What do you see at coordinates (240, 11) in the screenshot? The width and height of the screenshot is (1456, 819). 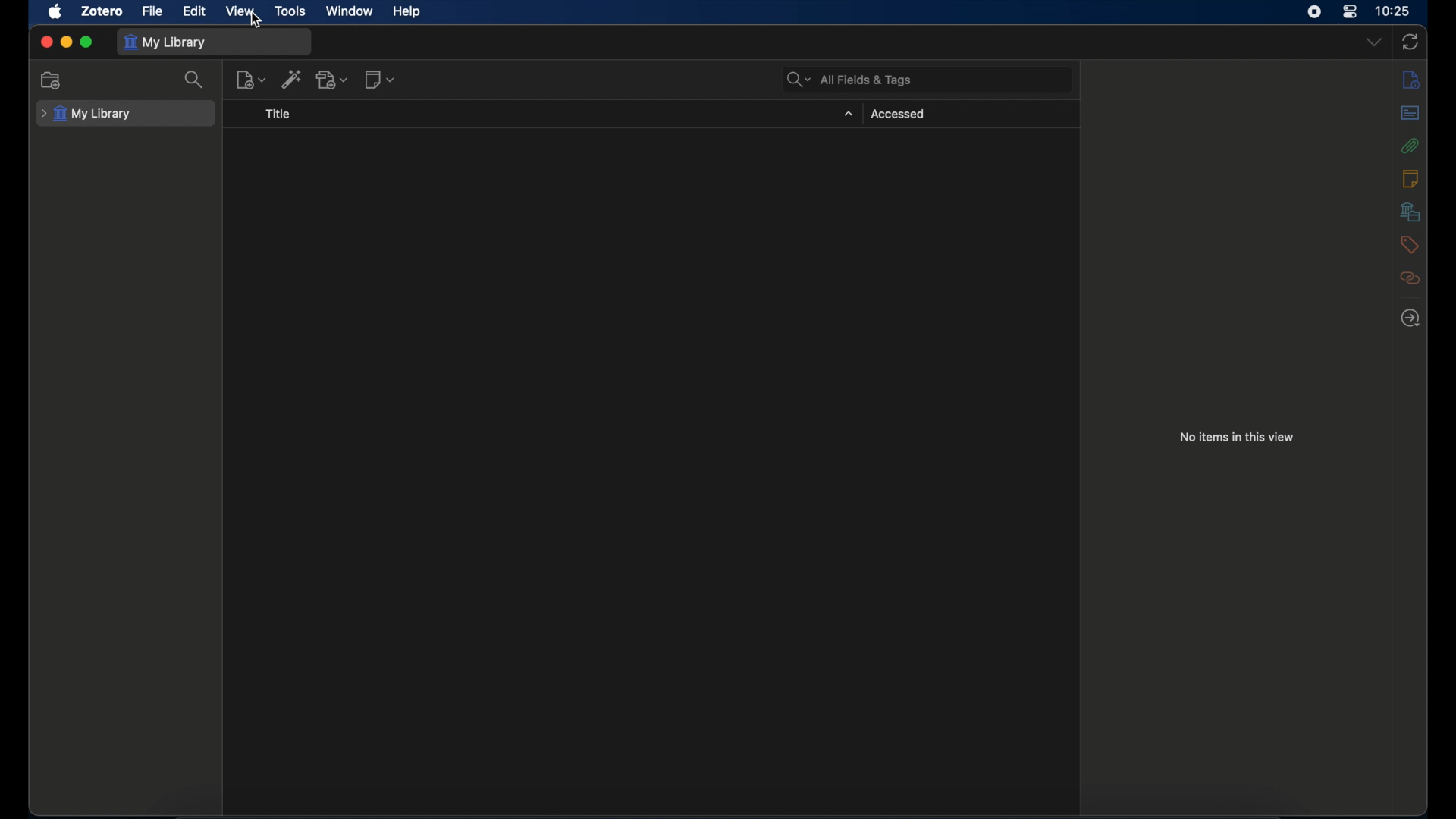 I see `view` at bounding box center [240, 11].